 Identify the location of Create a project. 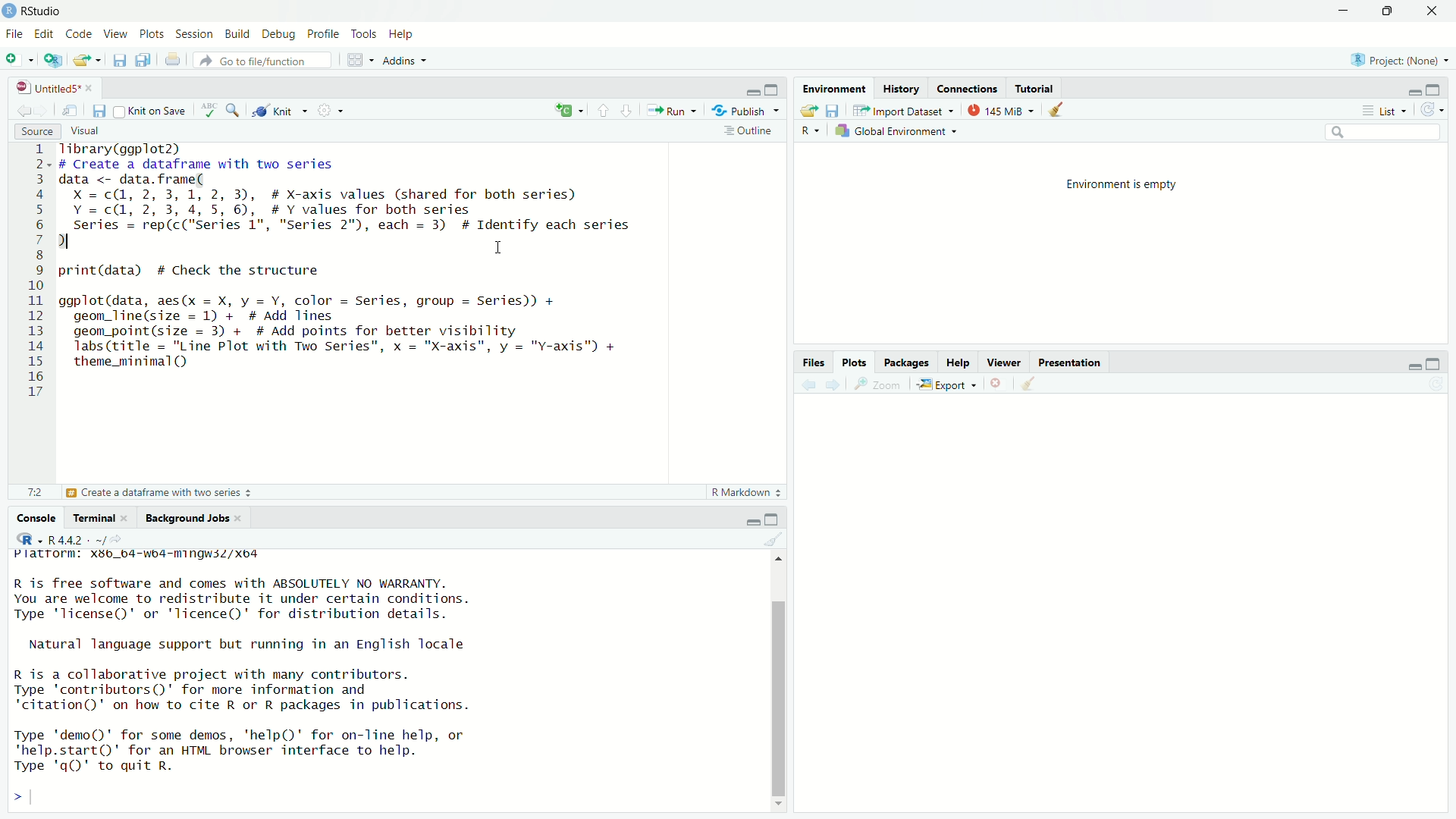
(53, 60).